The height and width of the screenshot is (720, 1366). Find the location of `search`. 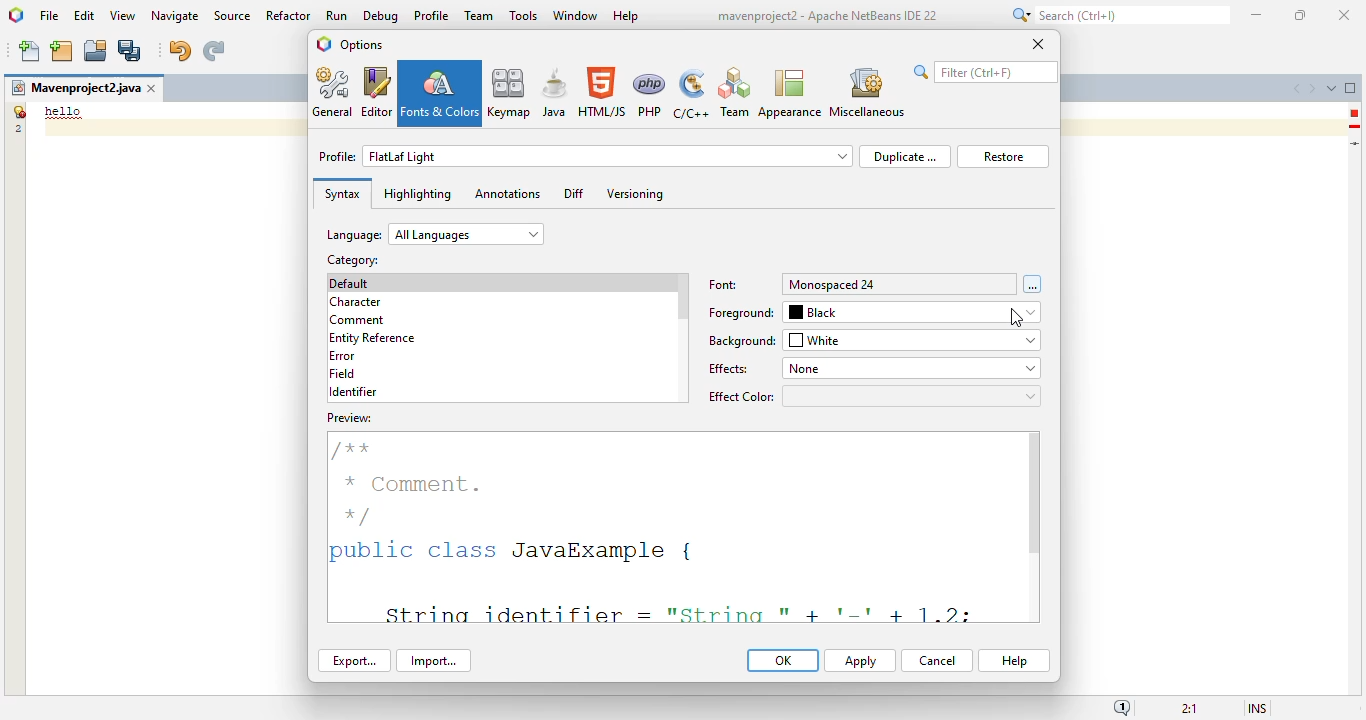

search is located at coordinates (1118, 15).